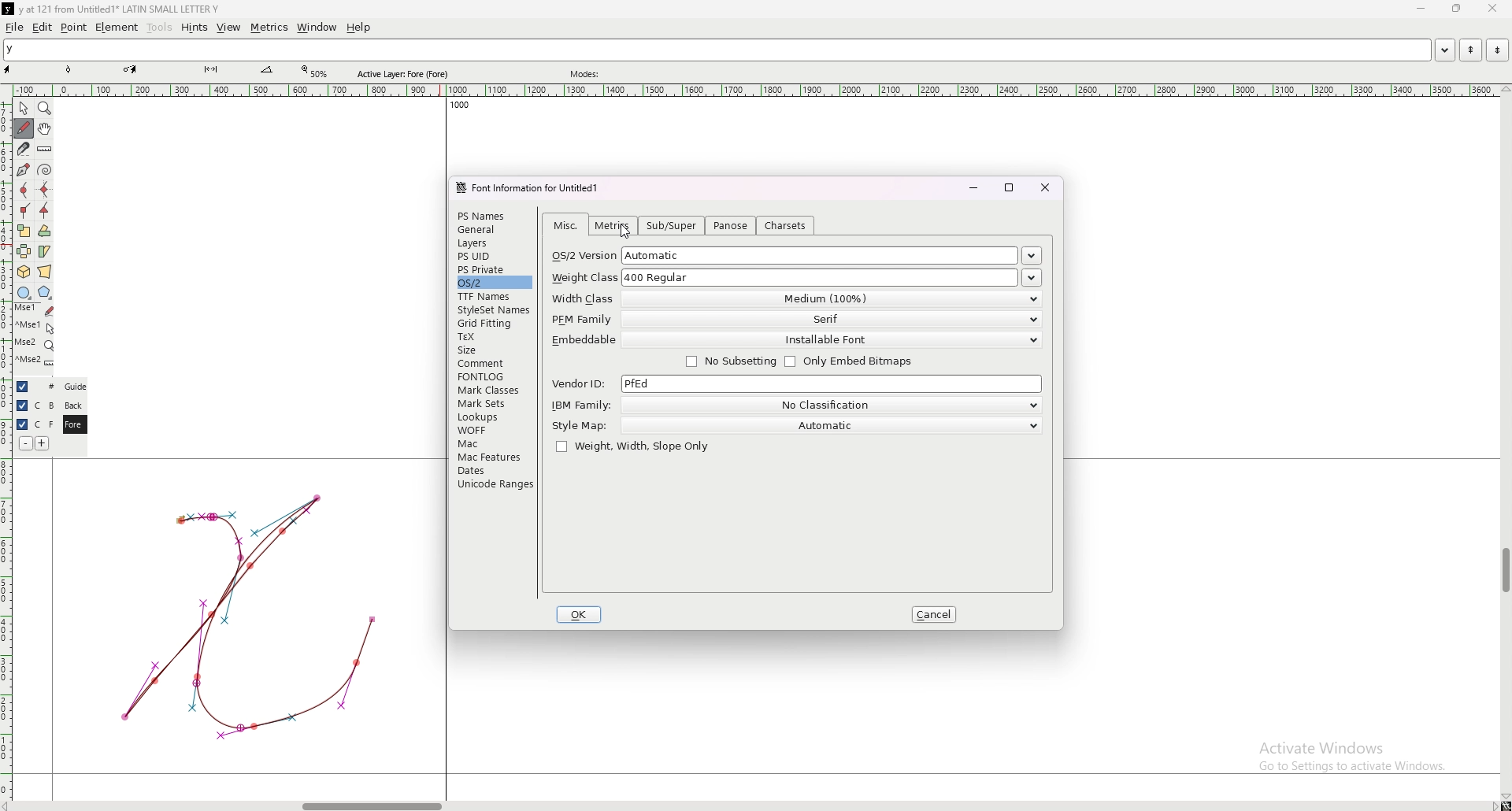 Image resolution: width=1512 pixels, height=811 pixels. What do you see at coordinates (579, 615) in the screenshot?
I see `ok` at bounding box center [579, 615].